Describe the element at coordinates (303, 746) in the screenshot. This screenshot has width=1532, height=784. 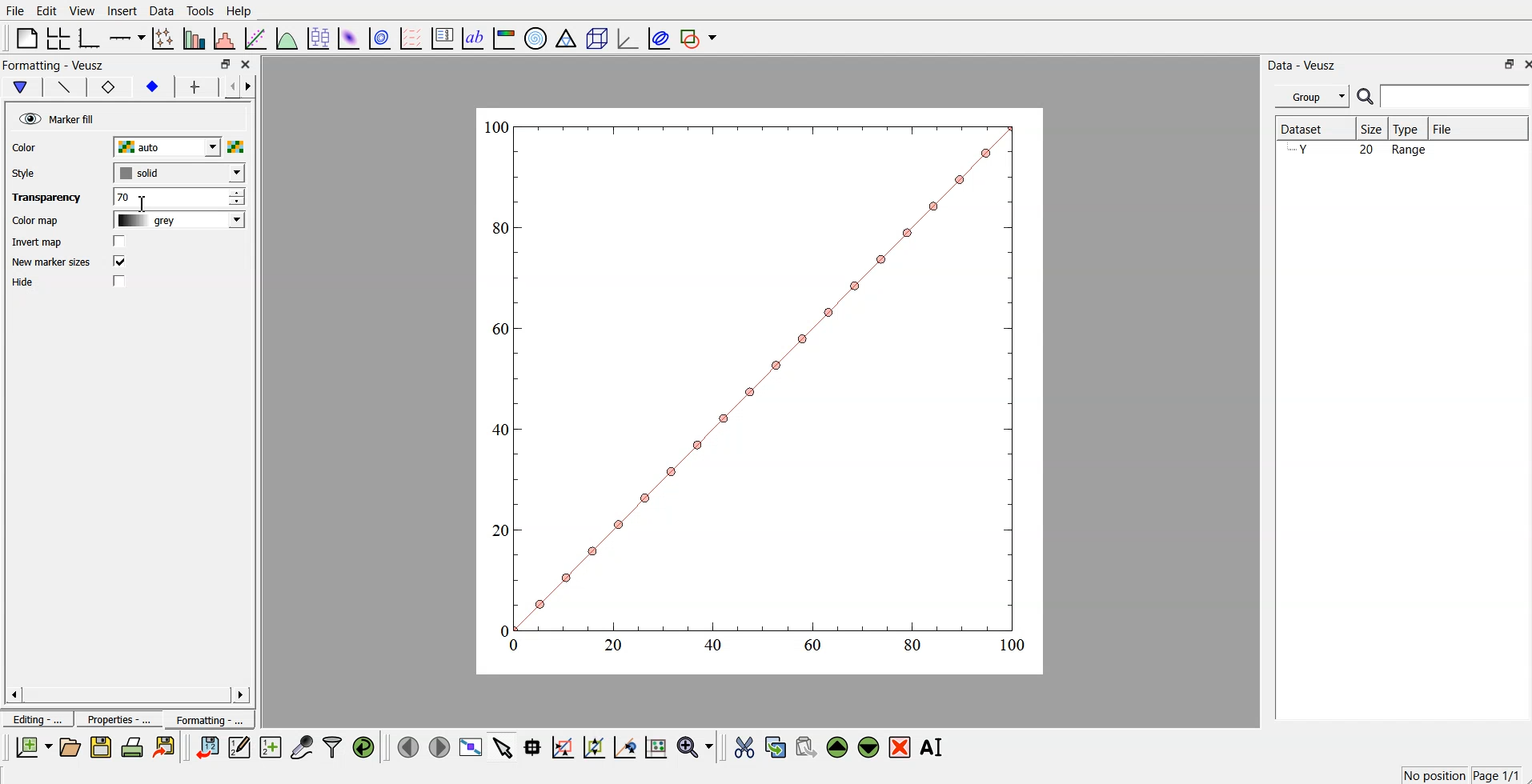
I see `Capture remote data` at that location.